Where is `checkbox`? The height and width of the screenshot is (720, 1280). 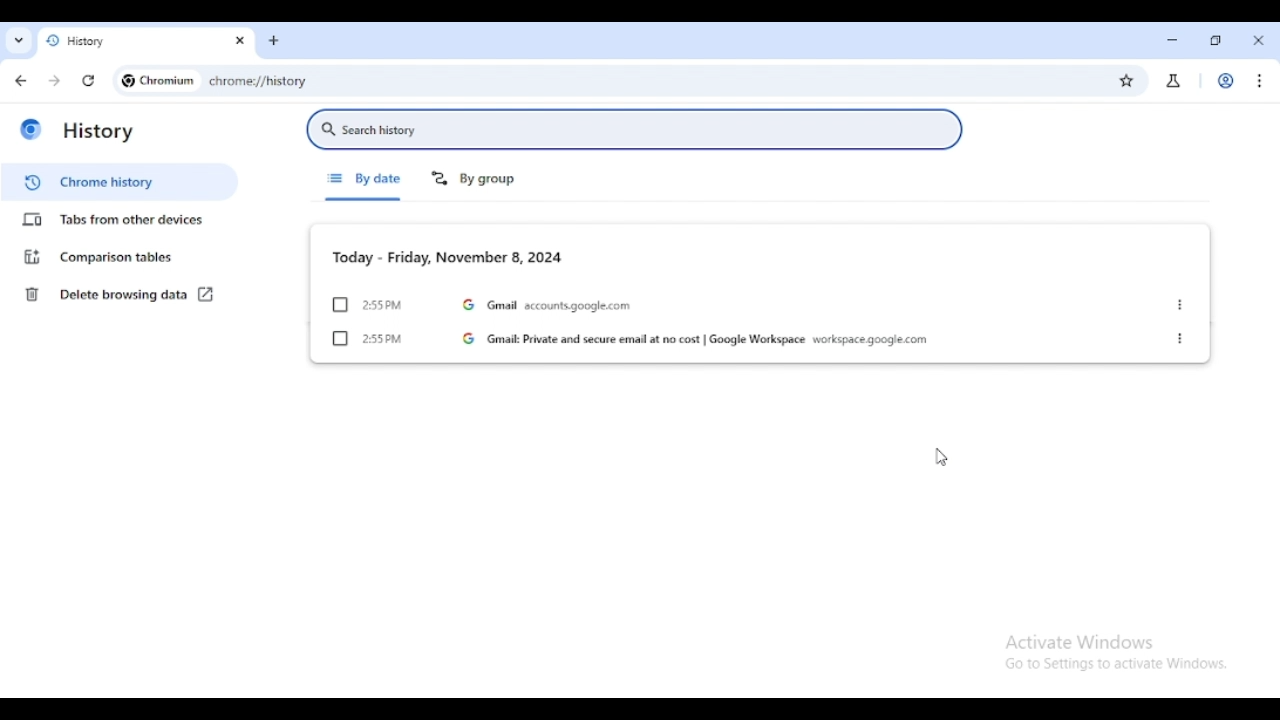 checkbox is located at coordinates (340, 305).